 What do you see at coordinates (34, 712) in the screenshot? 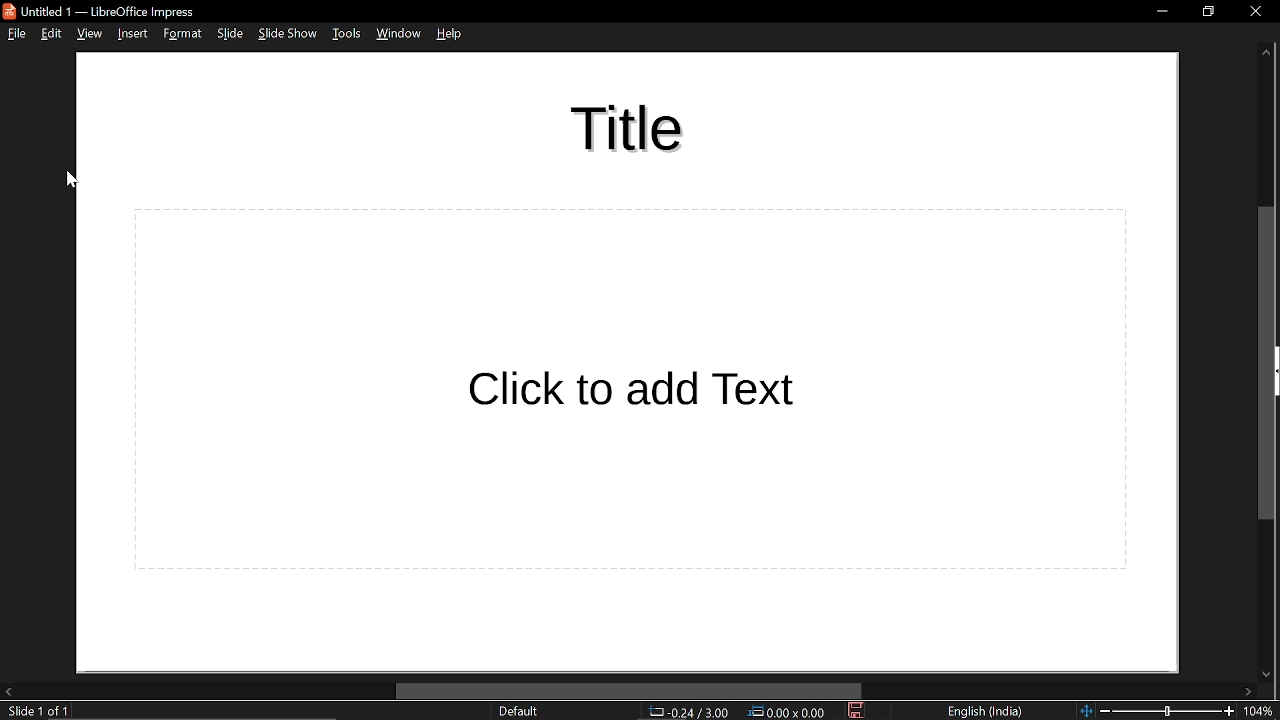
I see `slide 1 of 1` at bounding box center [34, 712].